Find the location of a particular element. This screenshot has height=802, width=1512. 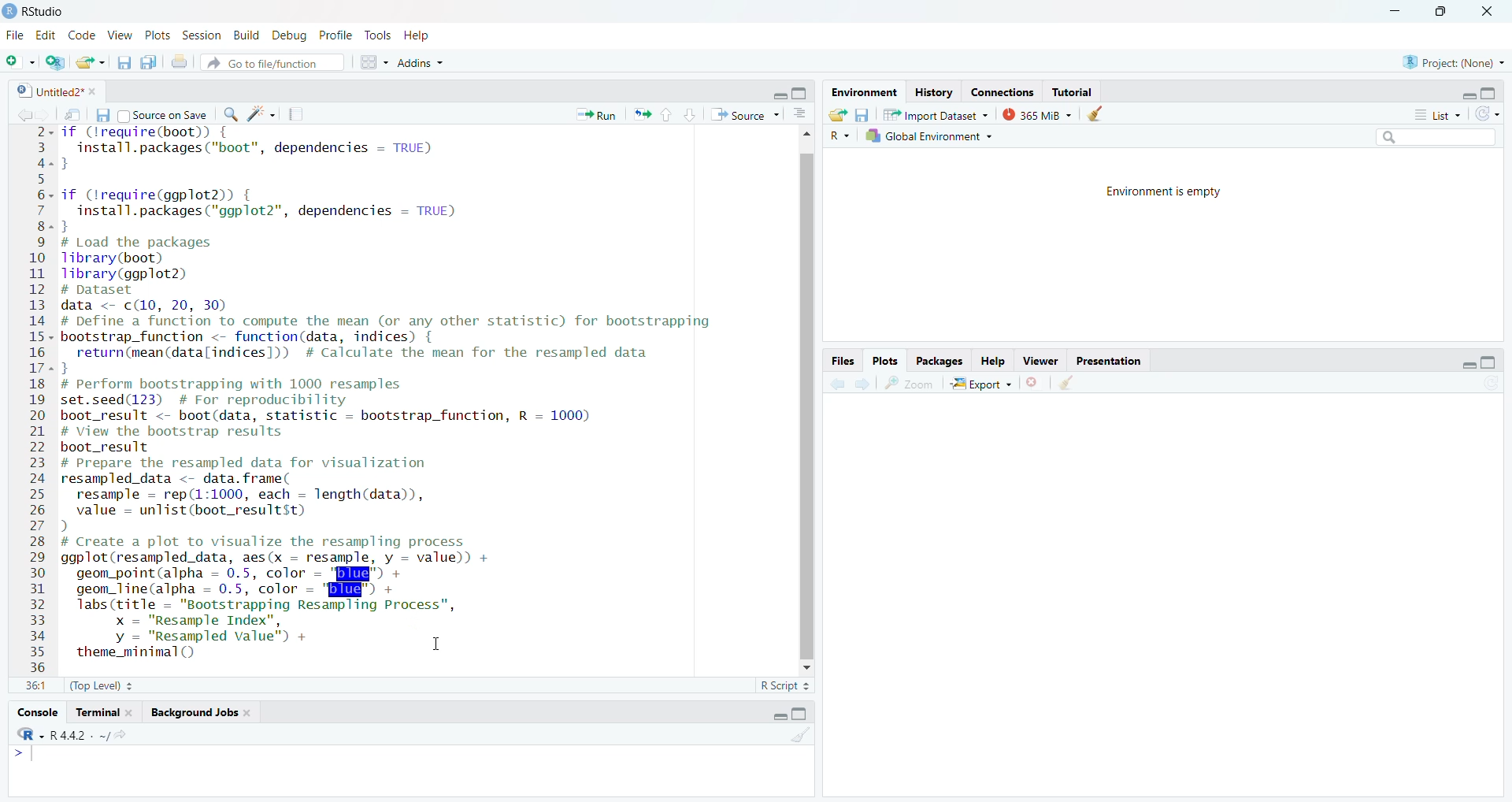

 Untitled2 is located at coordinates (67, 91).